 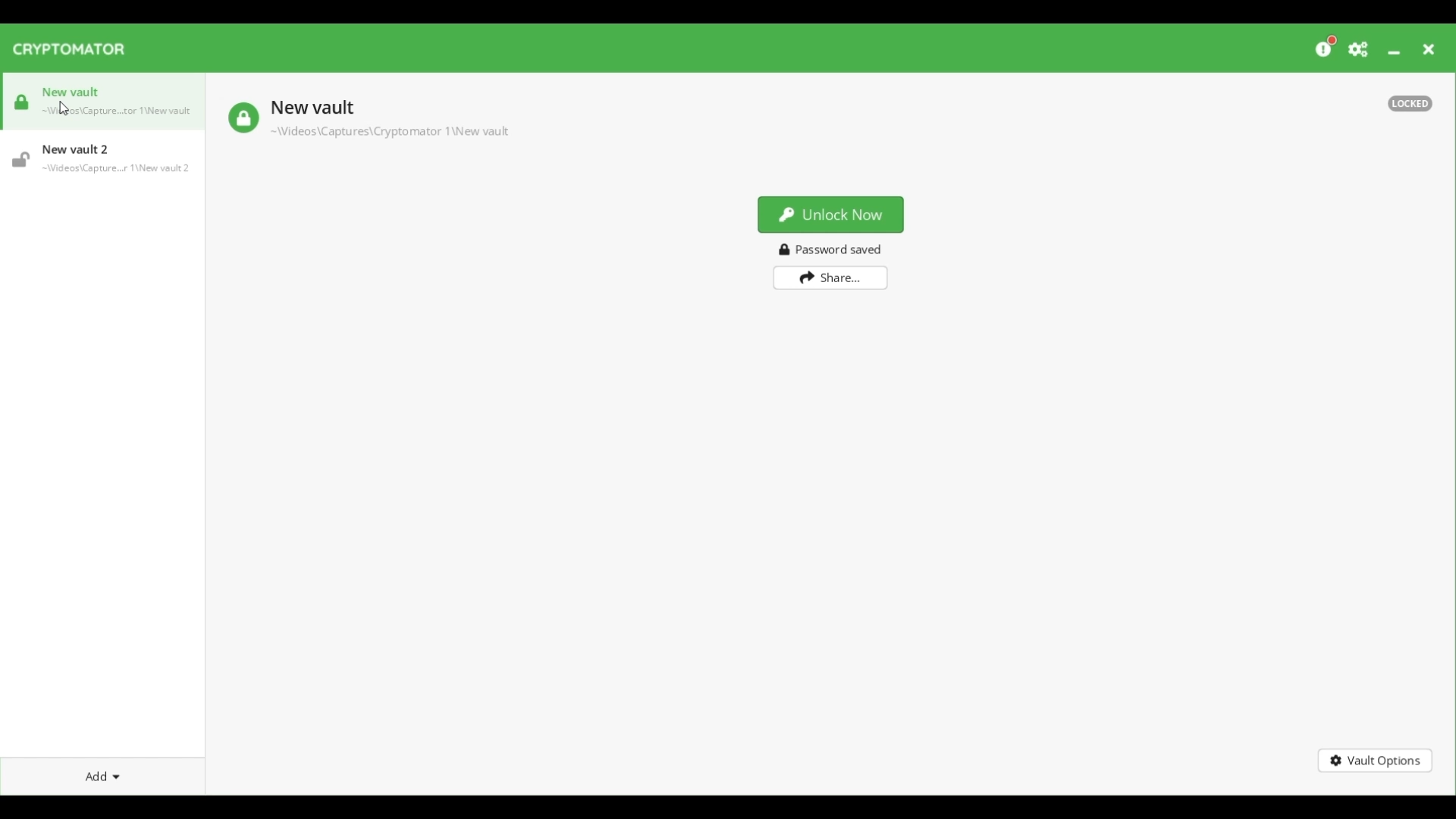 What do you see at coordinates (65, 108) in the screenshot?
I see `Cursor right-clicking on Vault 1` at bounding box center [65, 108].